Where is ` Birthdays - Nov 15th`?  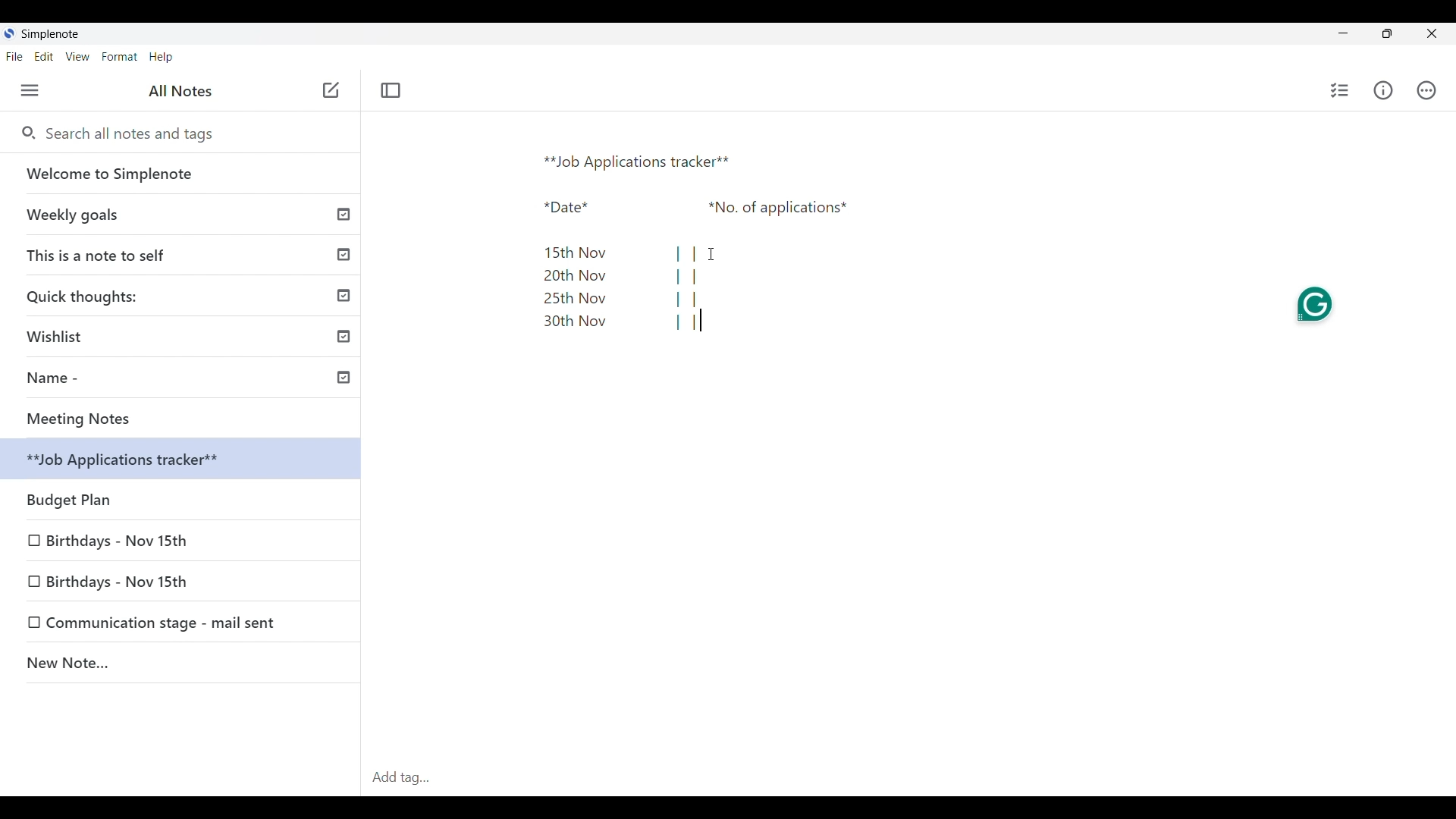  Birthdays - Nov 15th is located at coordinates (182, 496).